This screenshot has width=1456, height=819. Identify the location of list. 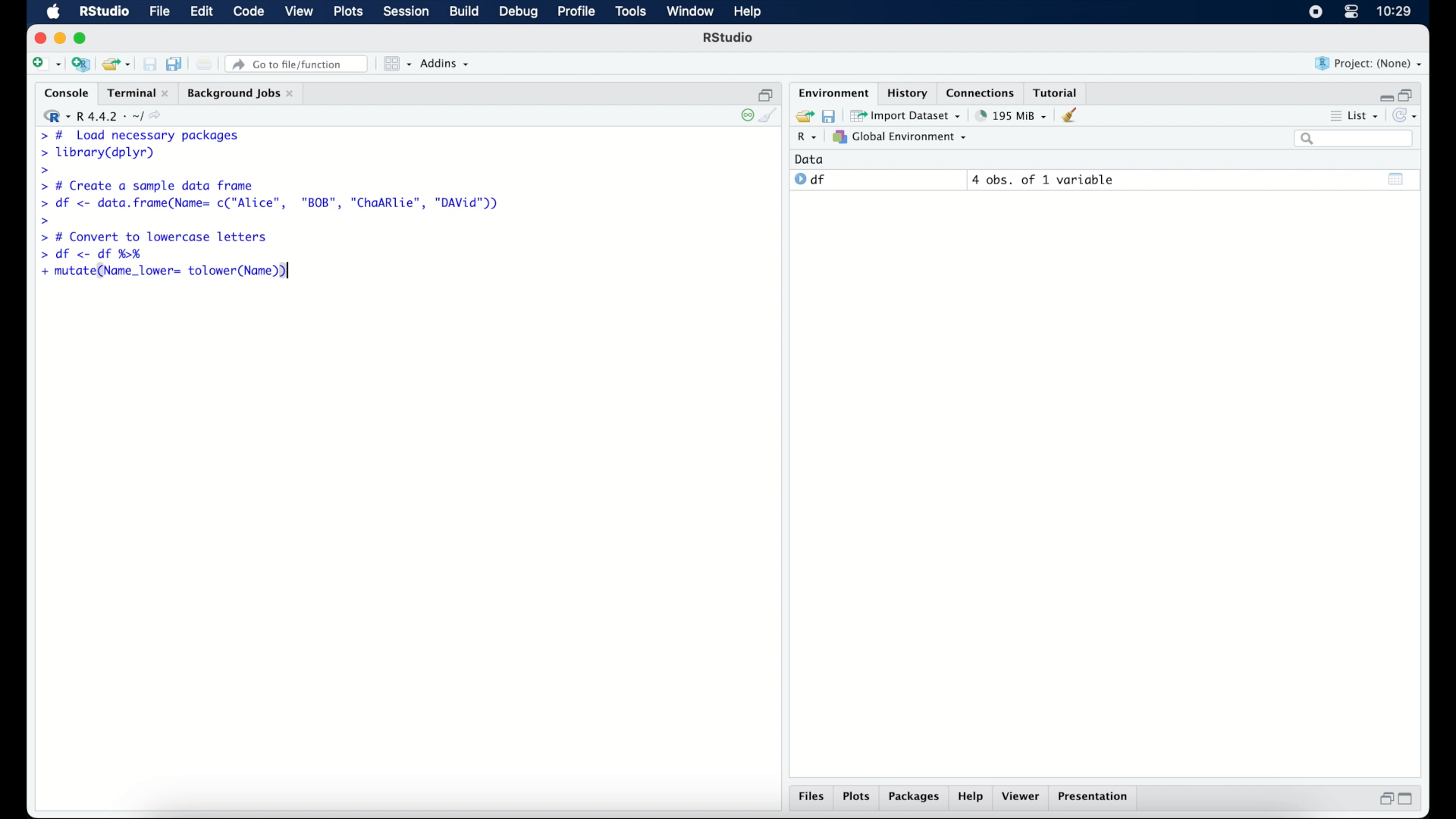
(1353, 118).